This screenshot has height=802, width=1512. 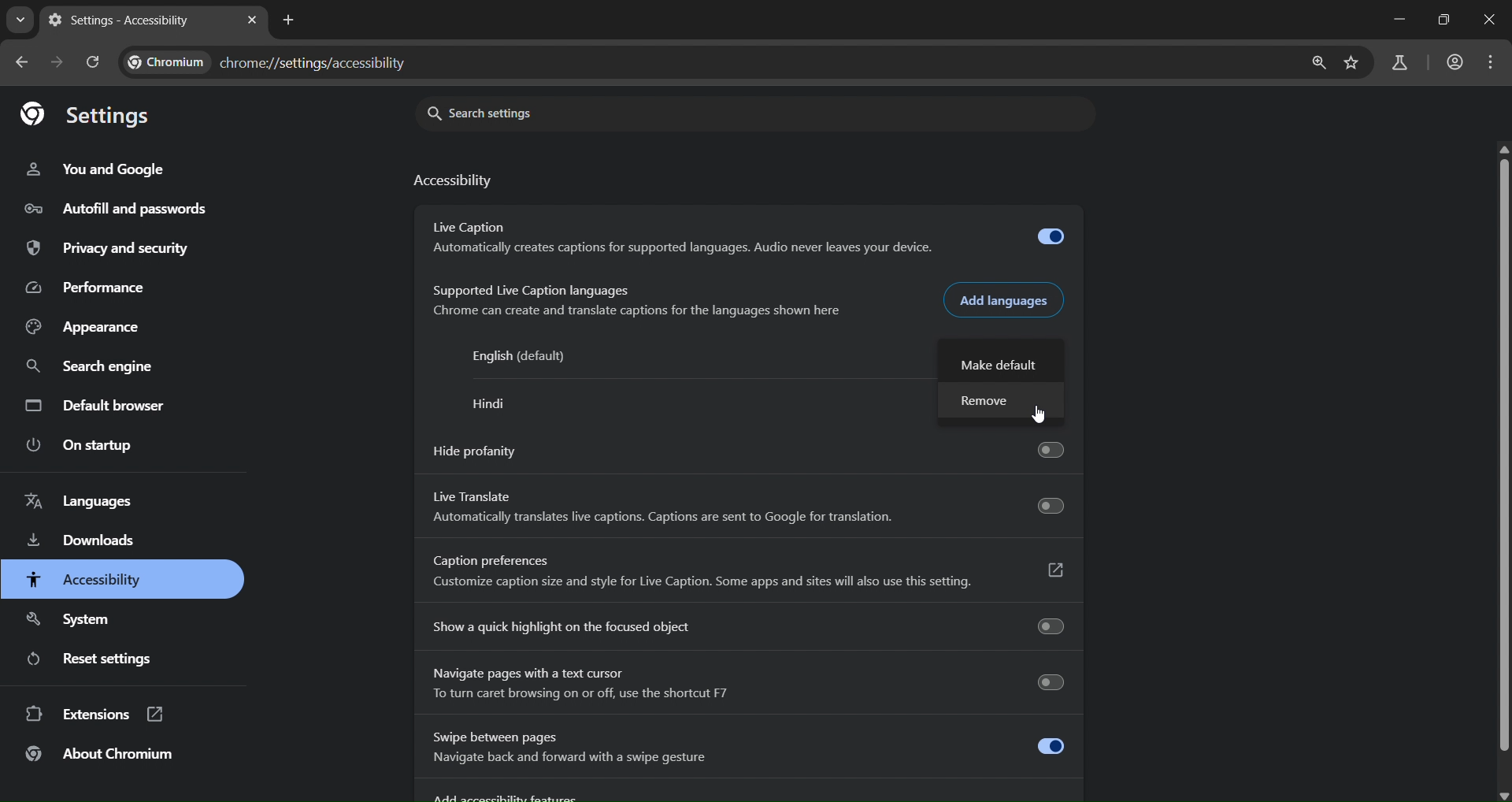 I want to click on go forward one page, so click(x=60, y=65).